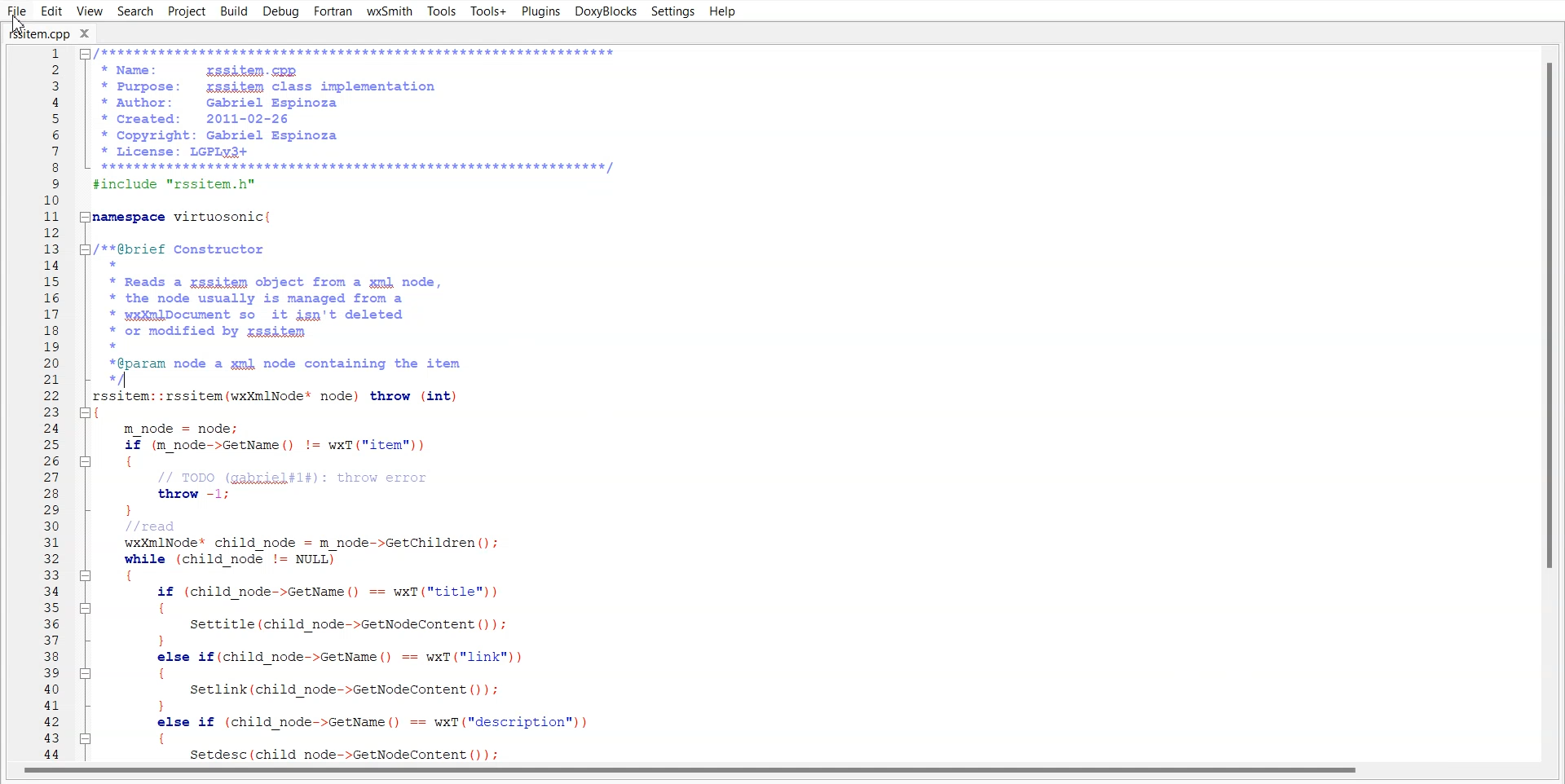 The width and height of the screenshot is (1565, 784). Describe the element at coordinates (87, 576) in the screenshot. I see `Collapse` at that location.